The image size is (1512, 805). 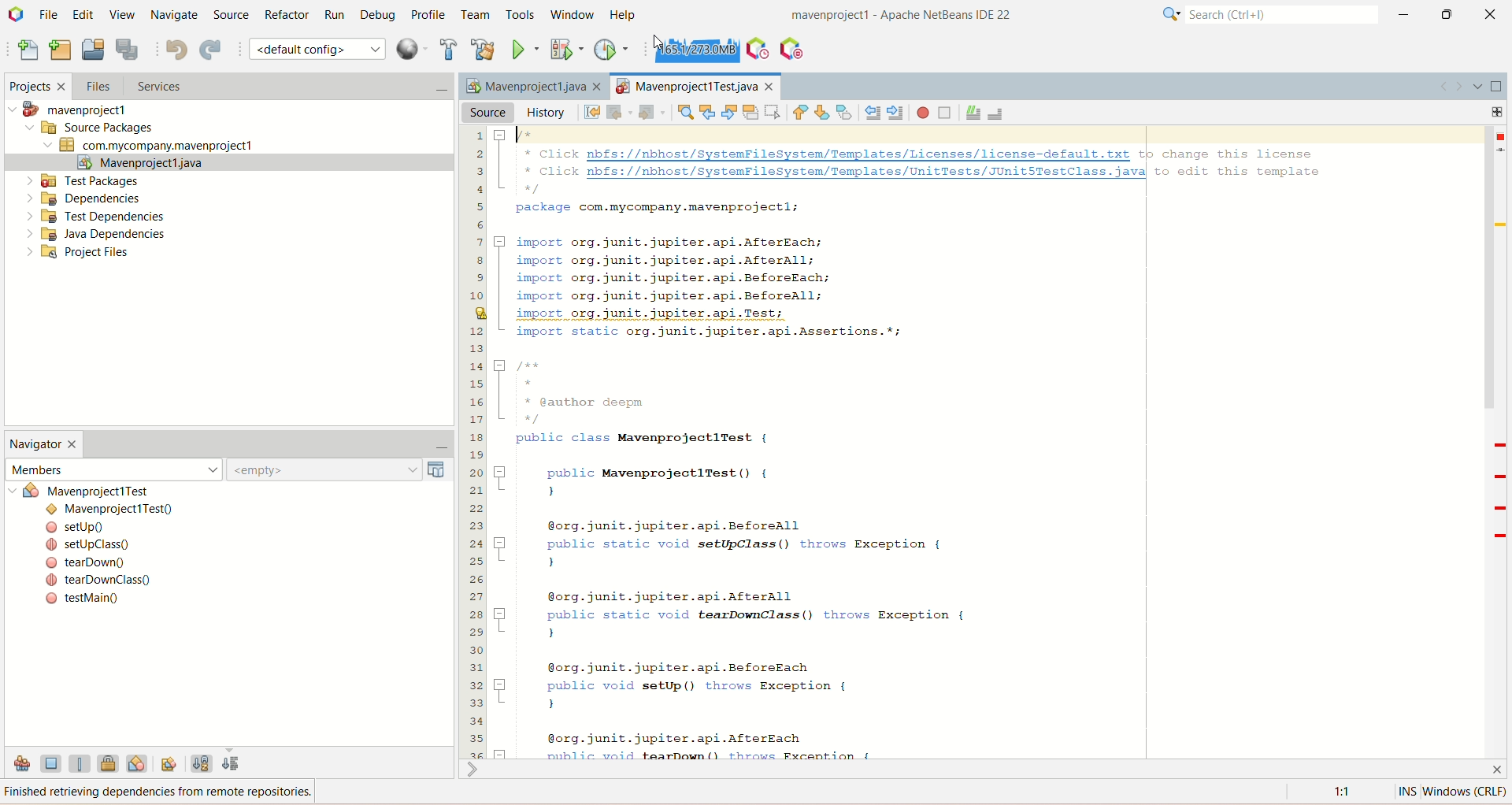 What do you see at coordinates (577, 15) in the screenshot?
I see `window` at bounding box center [577, 15].